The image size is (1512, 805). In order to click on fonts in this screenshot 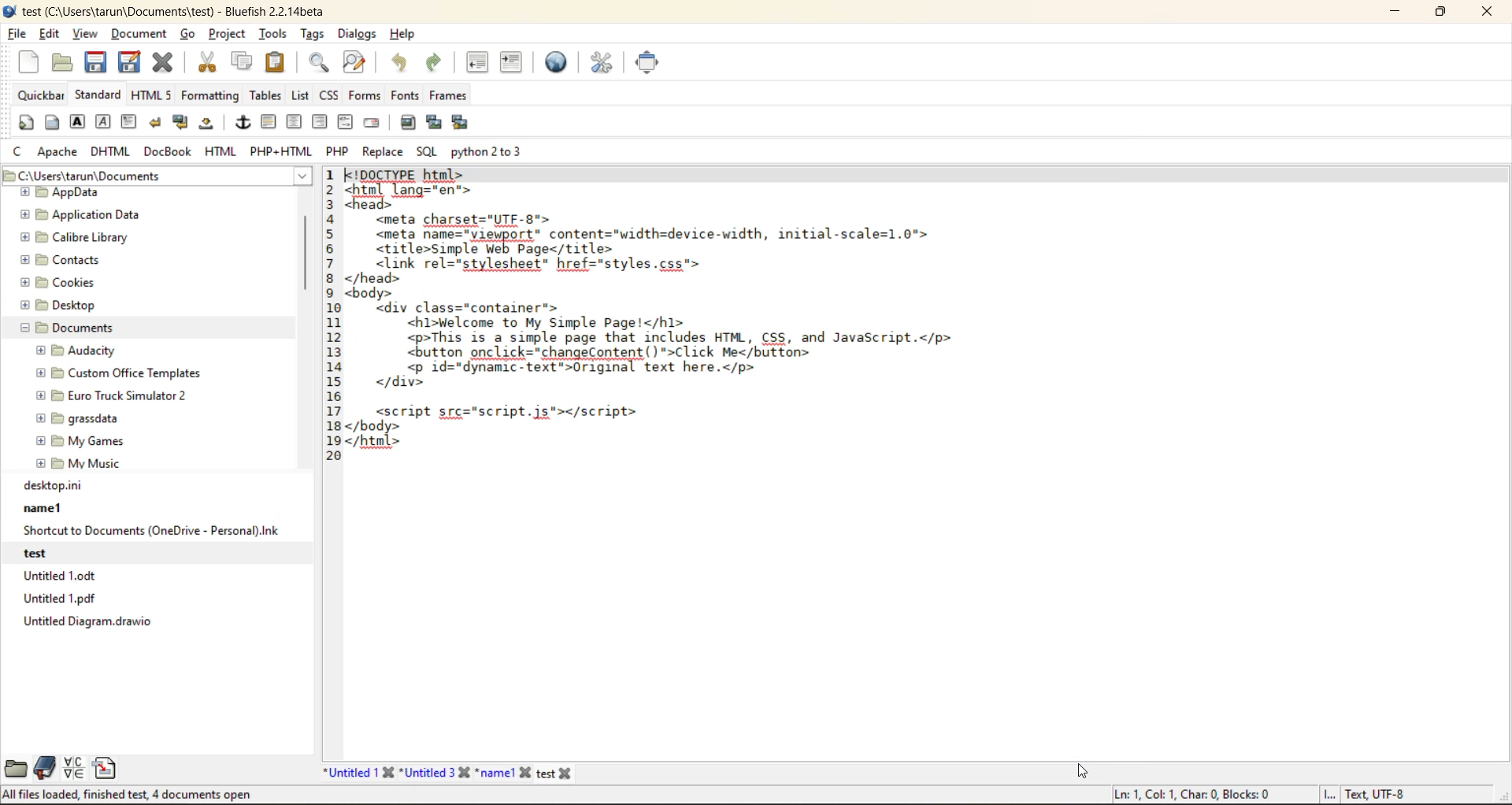, I will do `click(402, 97)`.